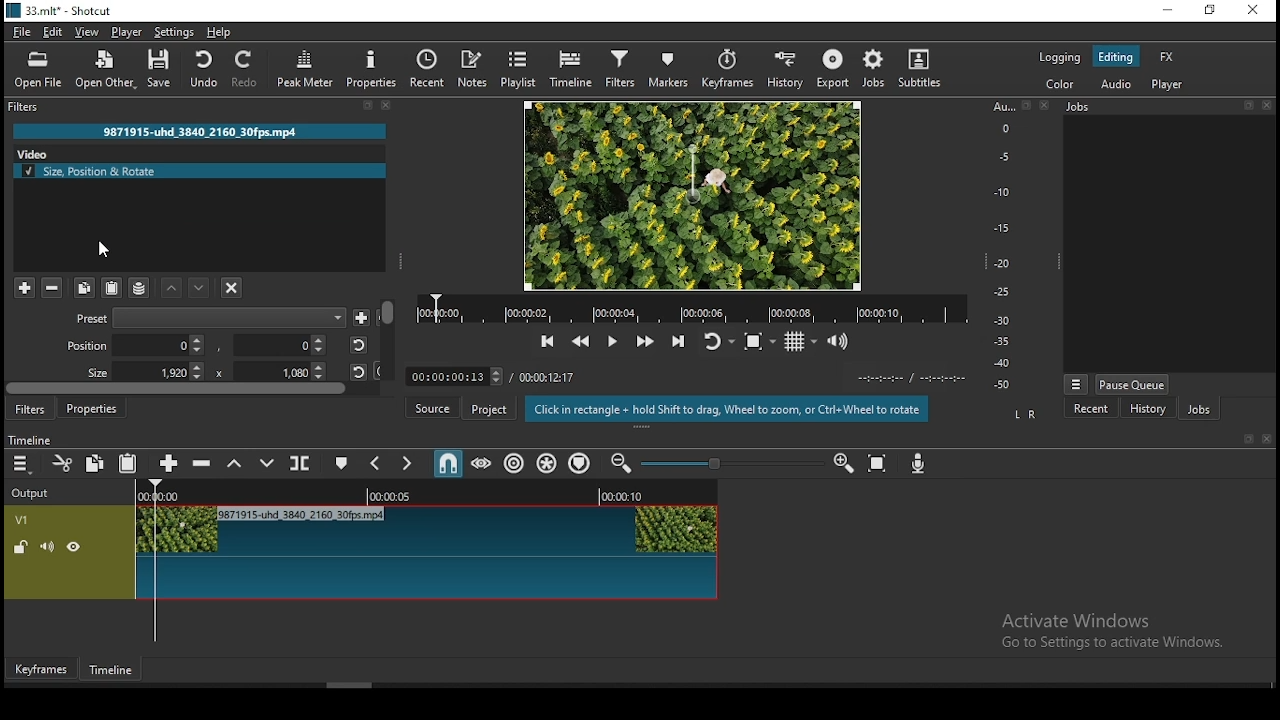  Describe the element at coordinates (89, 288) in the screenshot. I see `copy selected filter` at that location.